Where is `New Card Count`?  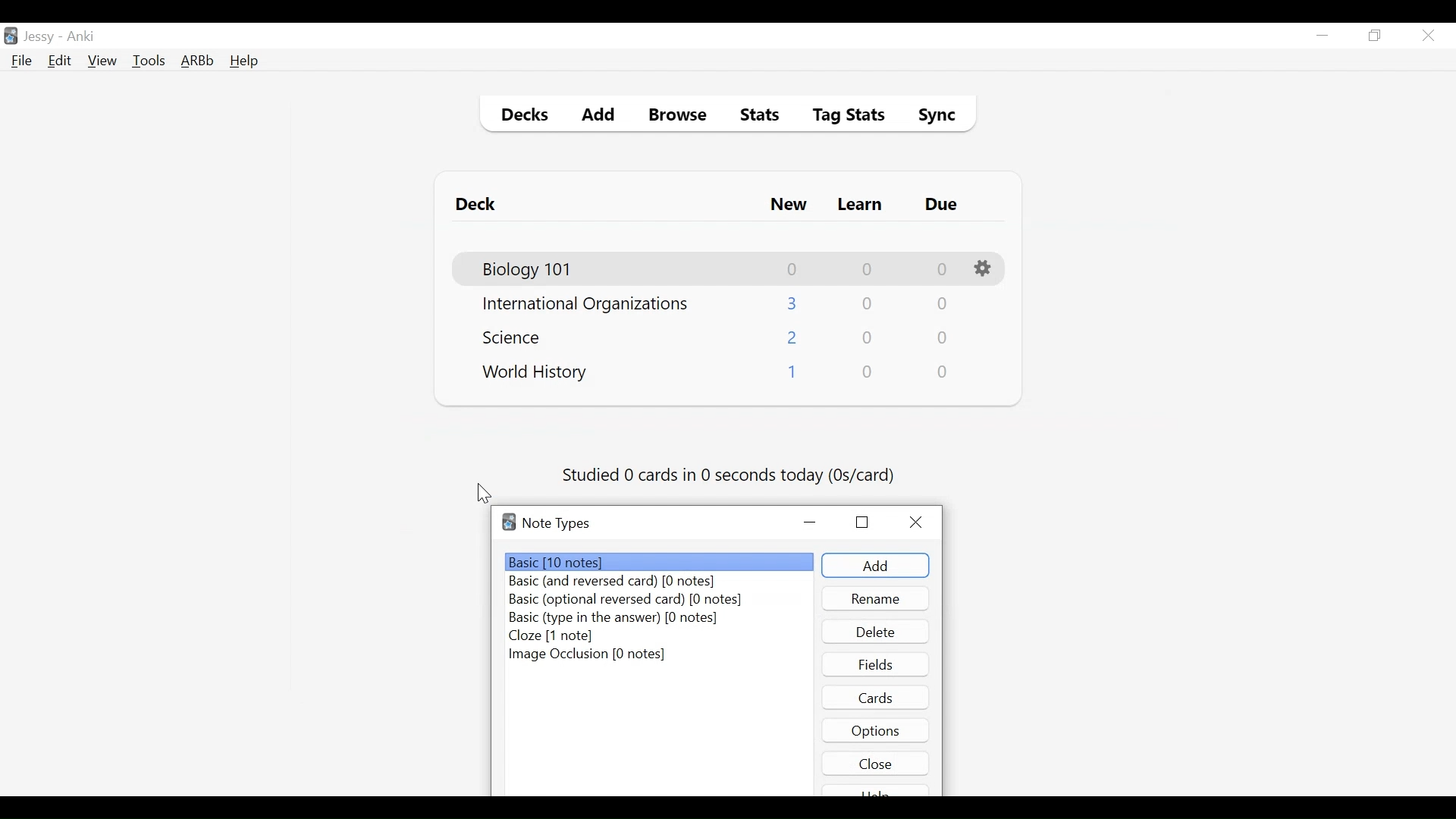 New Card Count is located at coordinates (793, 303).